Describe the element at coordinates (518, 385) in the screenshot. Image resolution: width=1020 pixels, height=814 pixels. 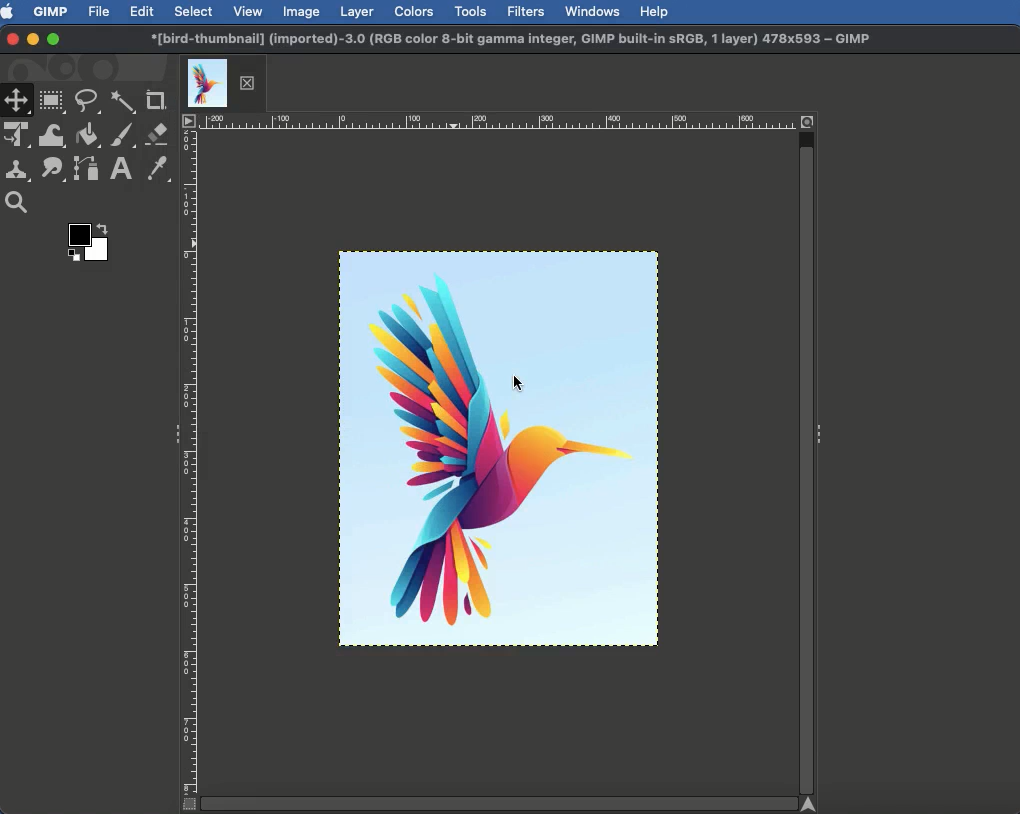
I see `cursor` at that location.